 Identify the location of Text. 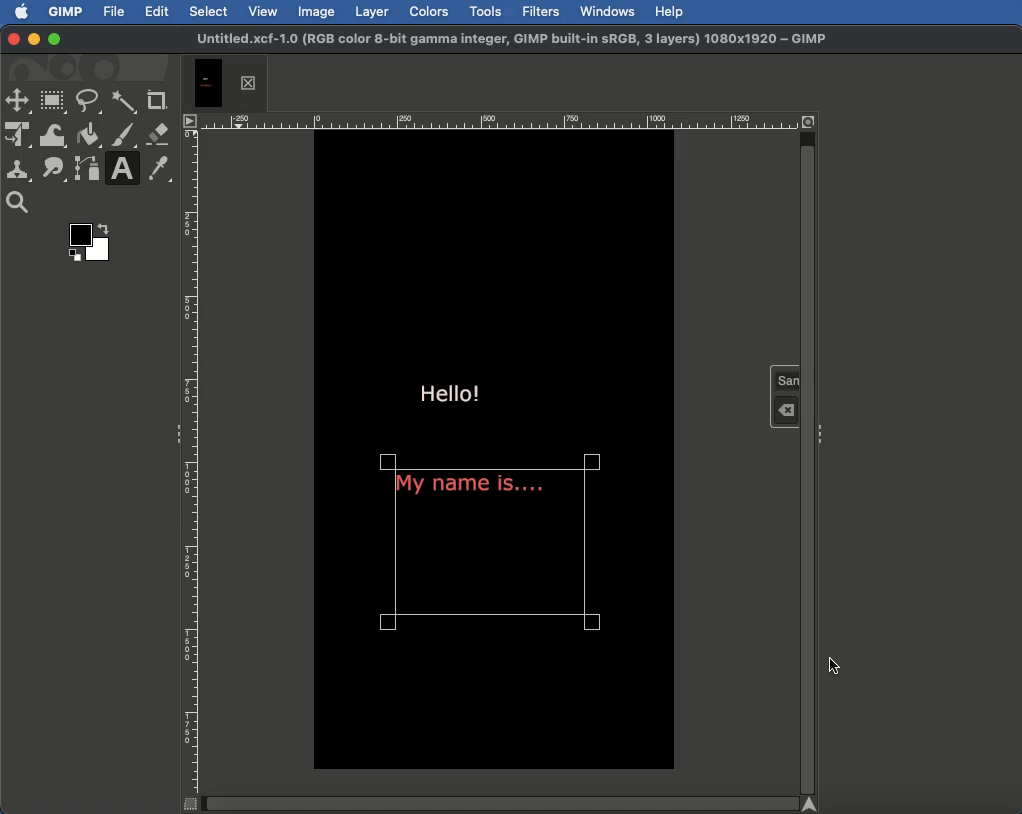
(121, 168).